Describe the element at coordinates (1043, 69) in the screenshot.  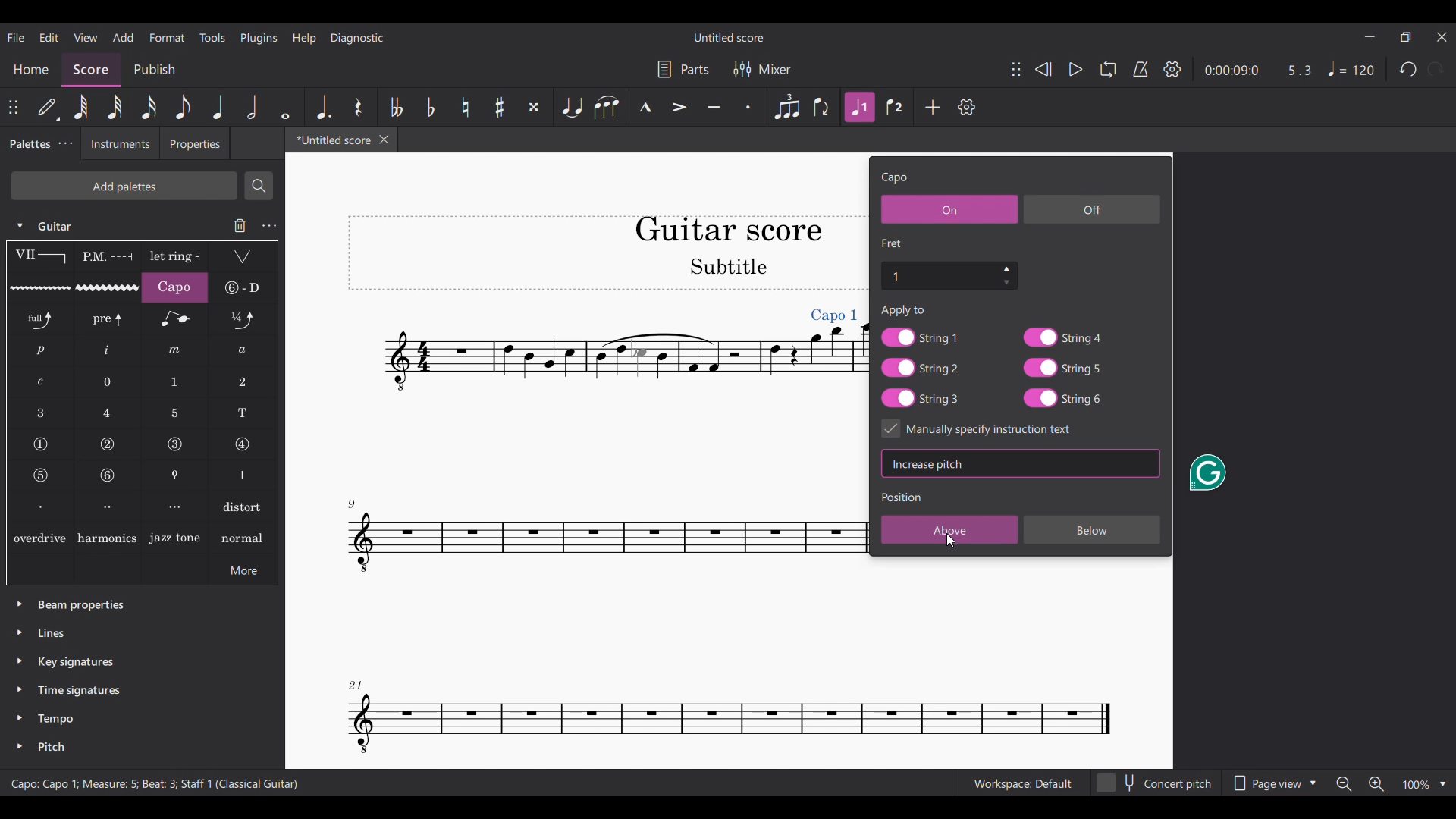
I see `Rewind` at that location.